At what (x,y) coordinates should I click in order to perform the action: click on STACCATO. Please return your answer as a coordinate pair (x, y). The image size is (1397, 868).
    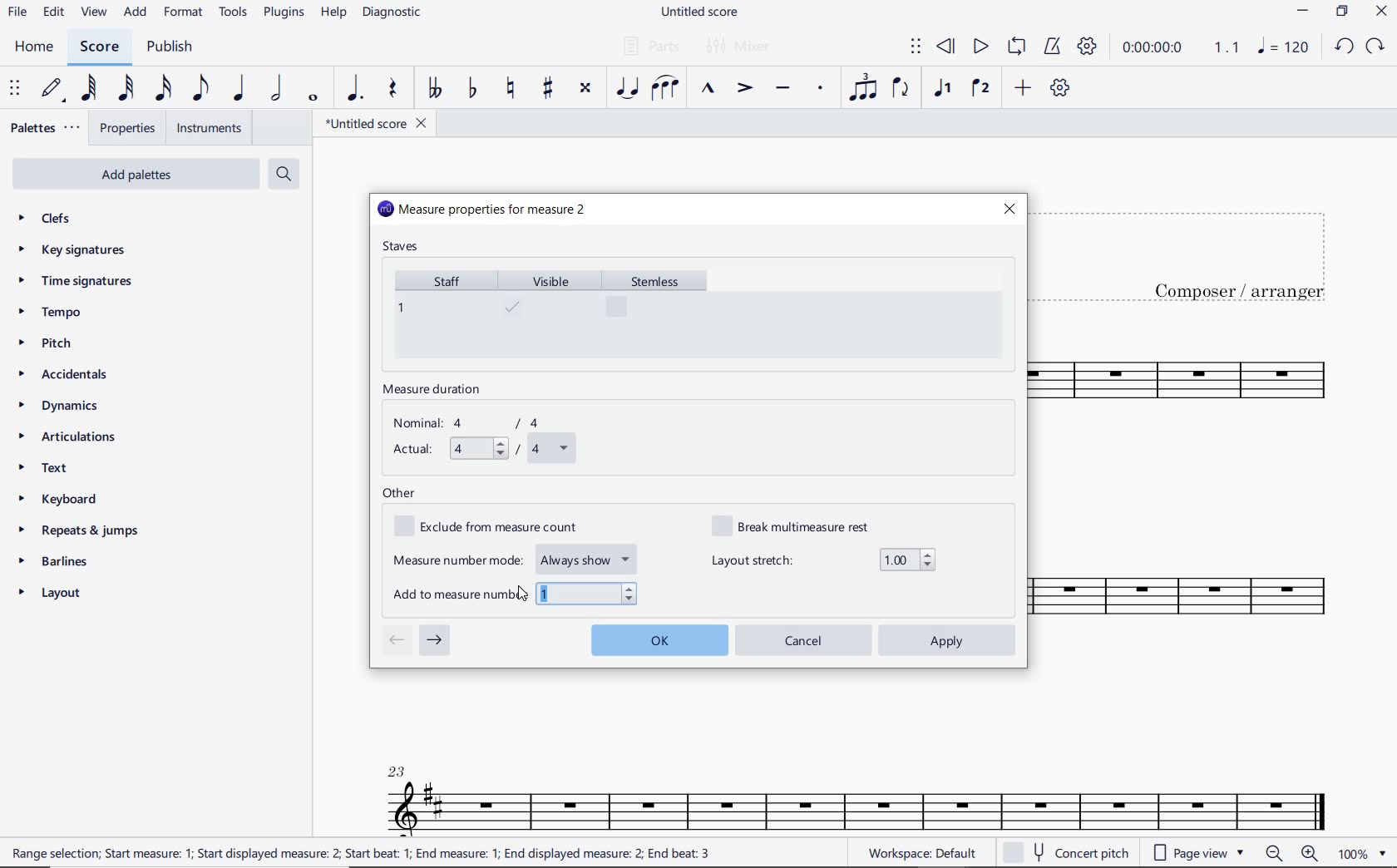
    Looking at the image, I should click on (820, 89).